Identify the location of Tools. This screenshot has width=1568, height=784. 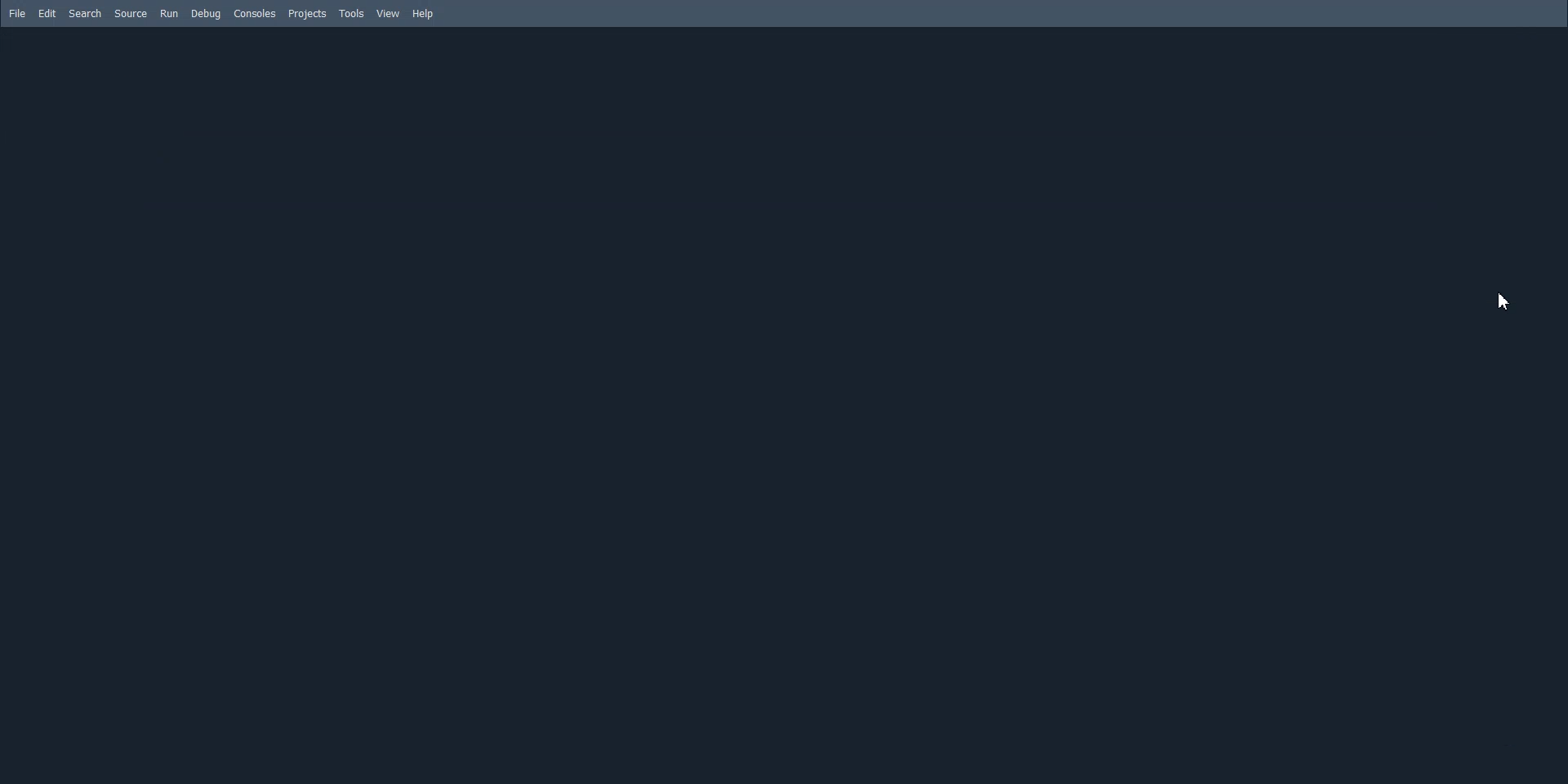
(352, 14).